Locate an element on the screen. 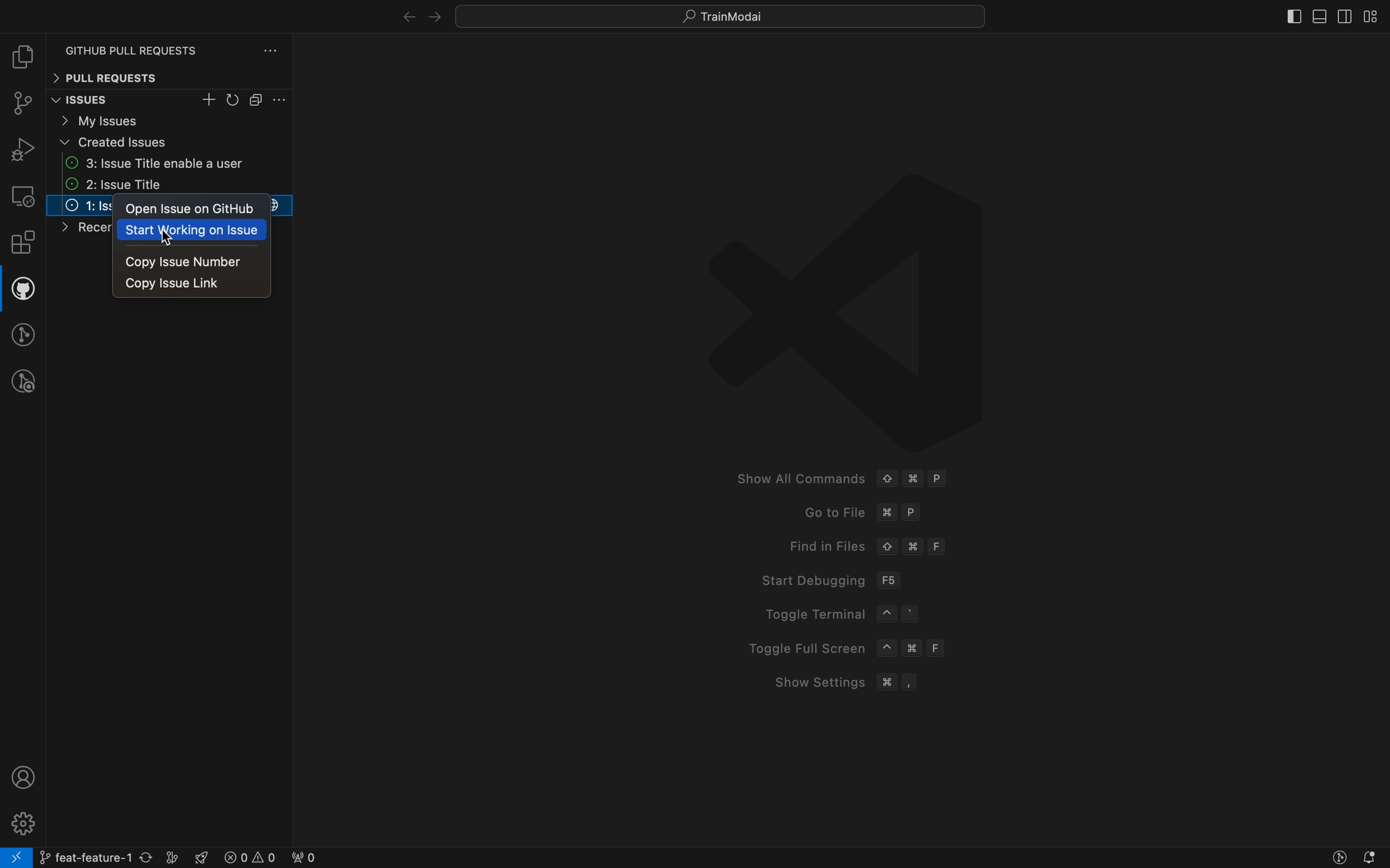 The height and width of the screenshot is (868, 1390). current branch is located at coordinates (110, 857).